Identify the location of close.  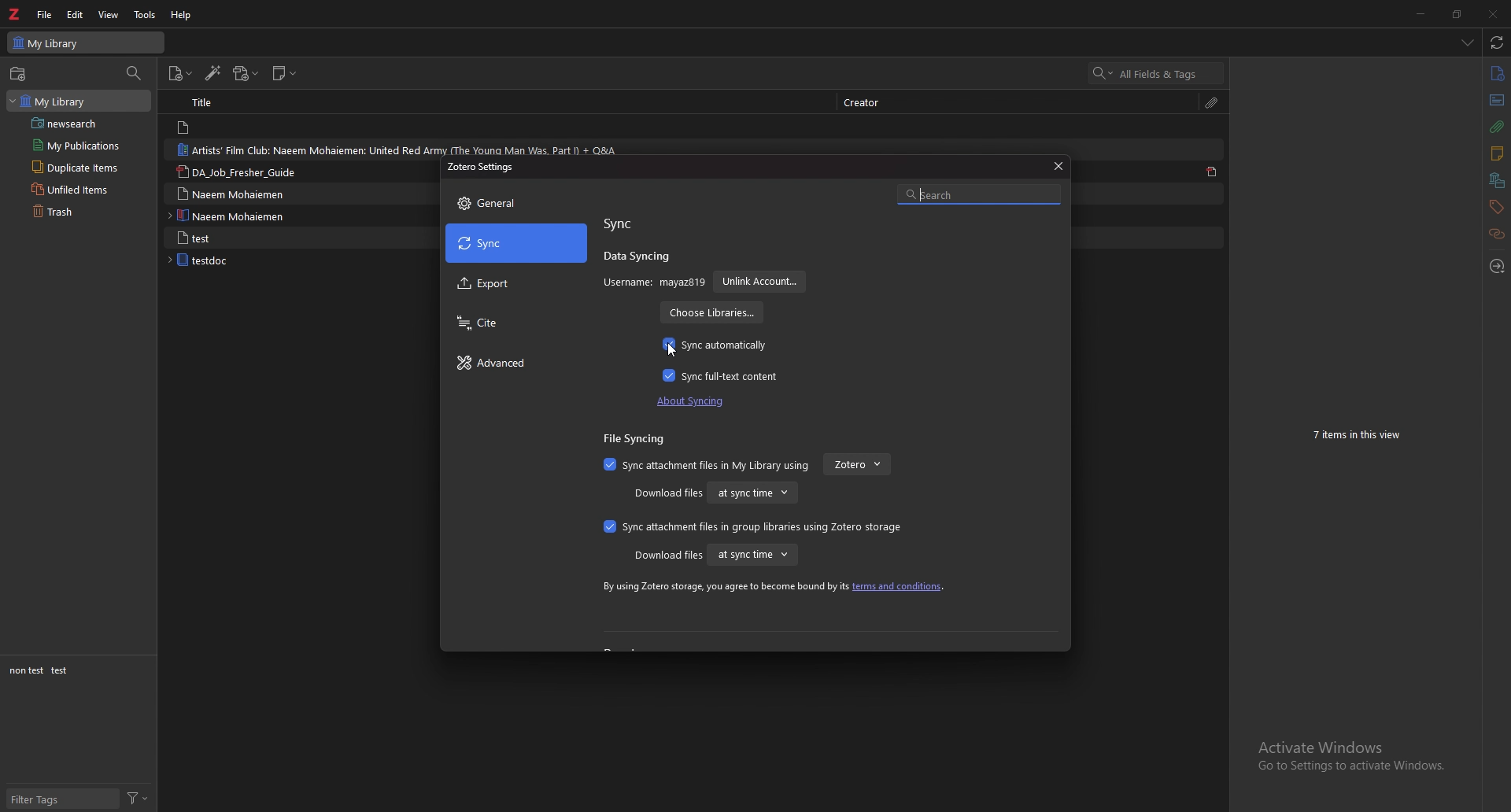
(1492, 14).